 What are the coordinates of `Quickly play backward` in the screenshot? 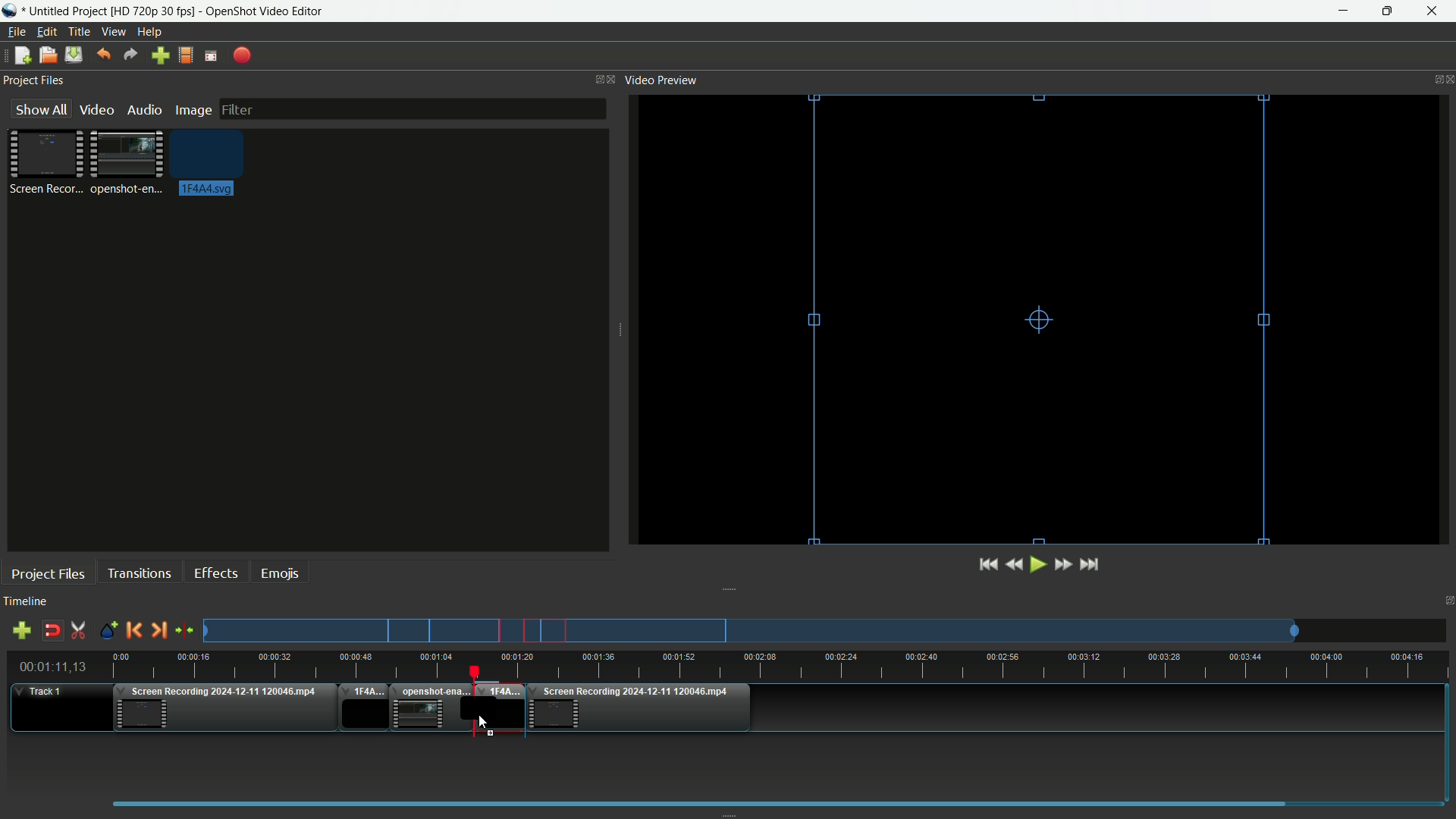 It's located at (1018, 564).